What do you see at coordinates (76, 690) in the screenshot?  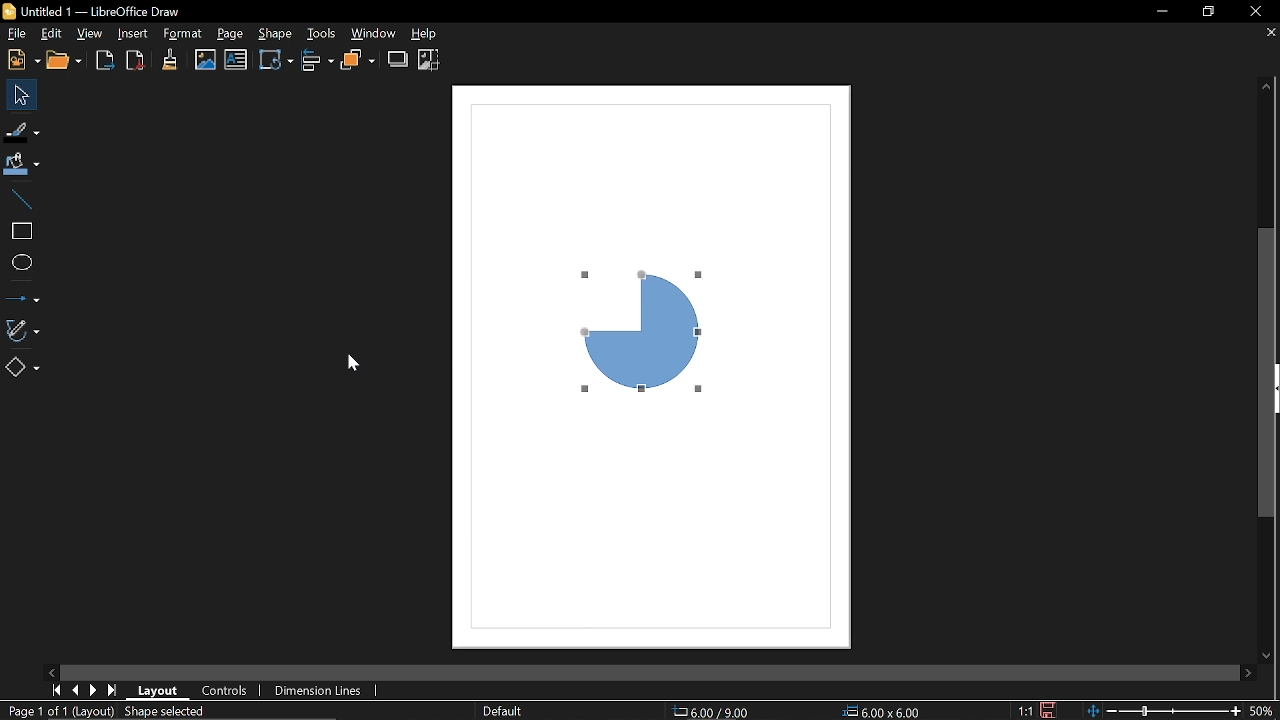 I see `Previous page` at bounding box center [76, 690].